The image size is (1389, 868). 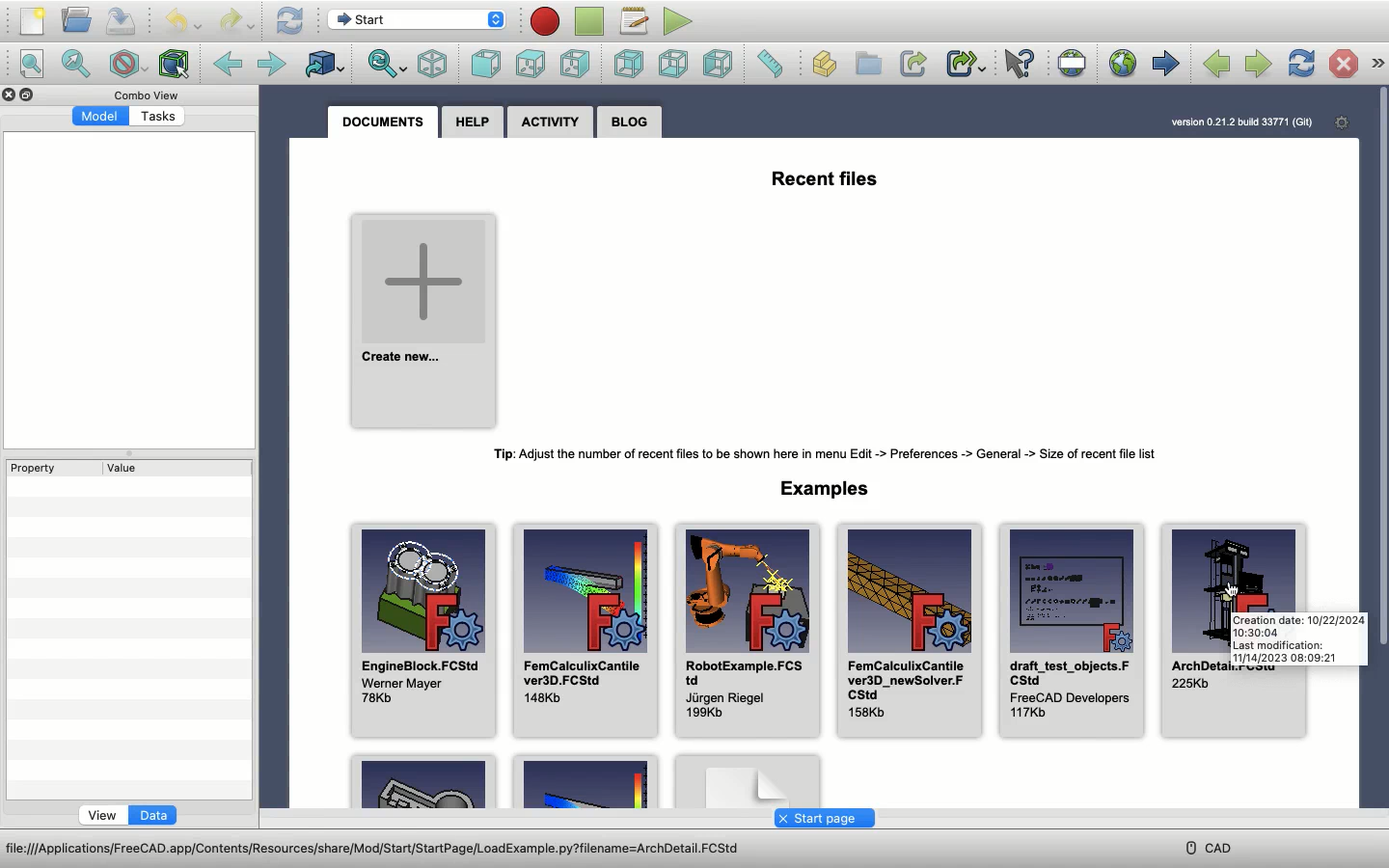 What do you see at coordinates (826, 819) in the screenshot?
I see `Start page` at bounding box center [826, 819].